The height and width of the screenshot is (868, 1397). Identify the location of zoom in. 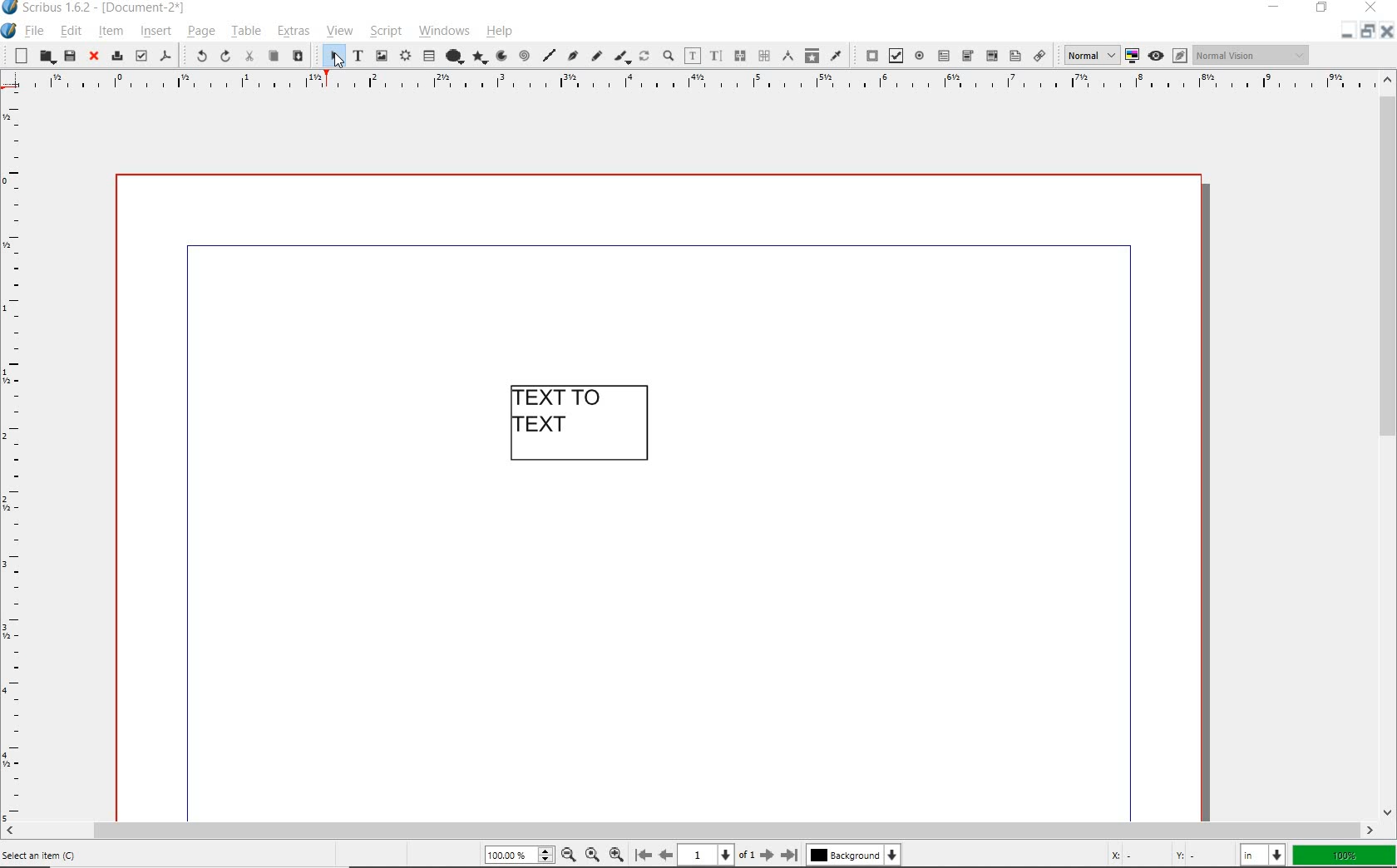
(620, 852).